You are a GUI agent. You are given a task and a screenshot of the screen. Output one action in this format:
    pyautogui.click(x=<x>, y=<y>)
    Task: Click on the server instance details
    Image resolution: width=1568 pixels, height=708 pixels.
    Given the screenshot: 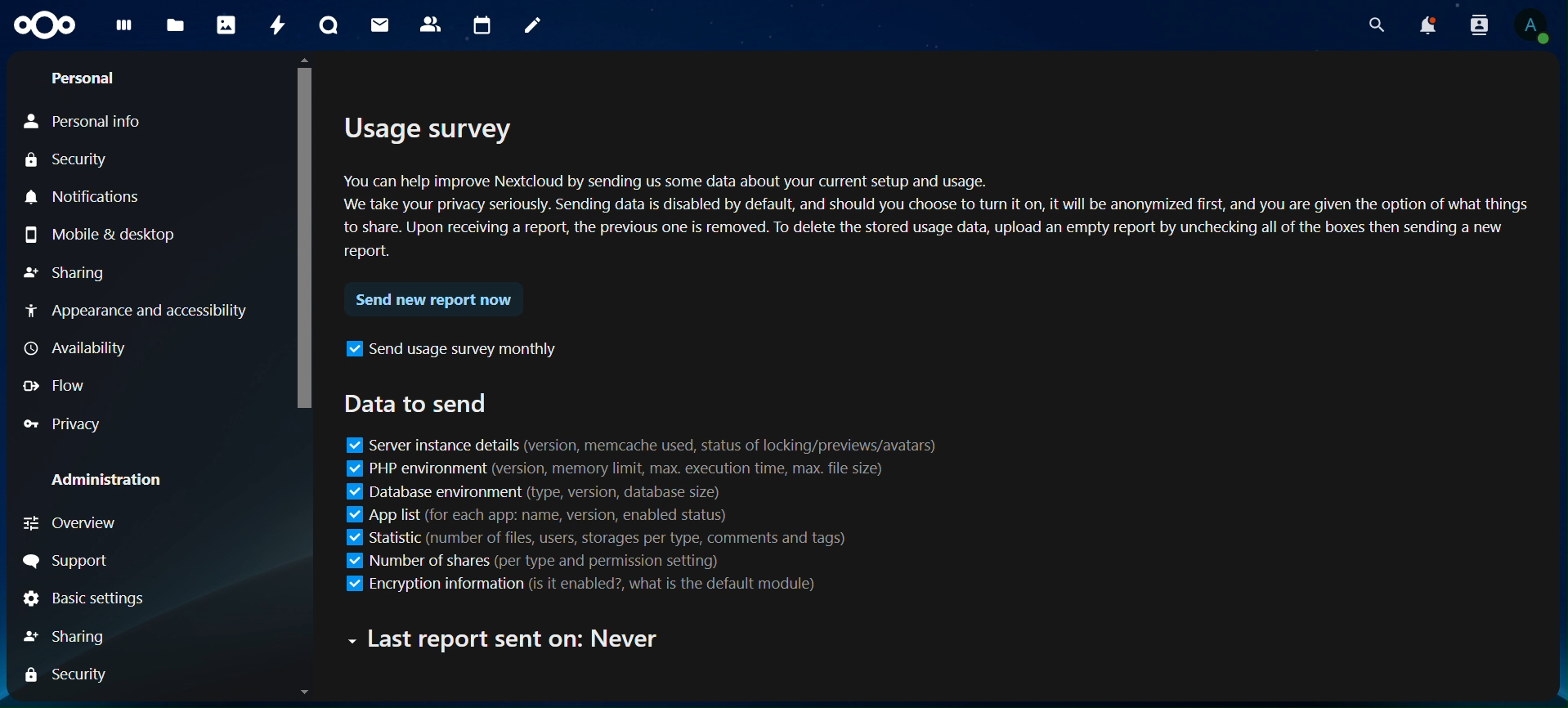 What is the action you would take?
    pyautogui.click(x=641, y=442)
    